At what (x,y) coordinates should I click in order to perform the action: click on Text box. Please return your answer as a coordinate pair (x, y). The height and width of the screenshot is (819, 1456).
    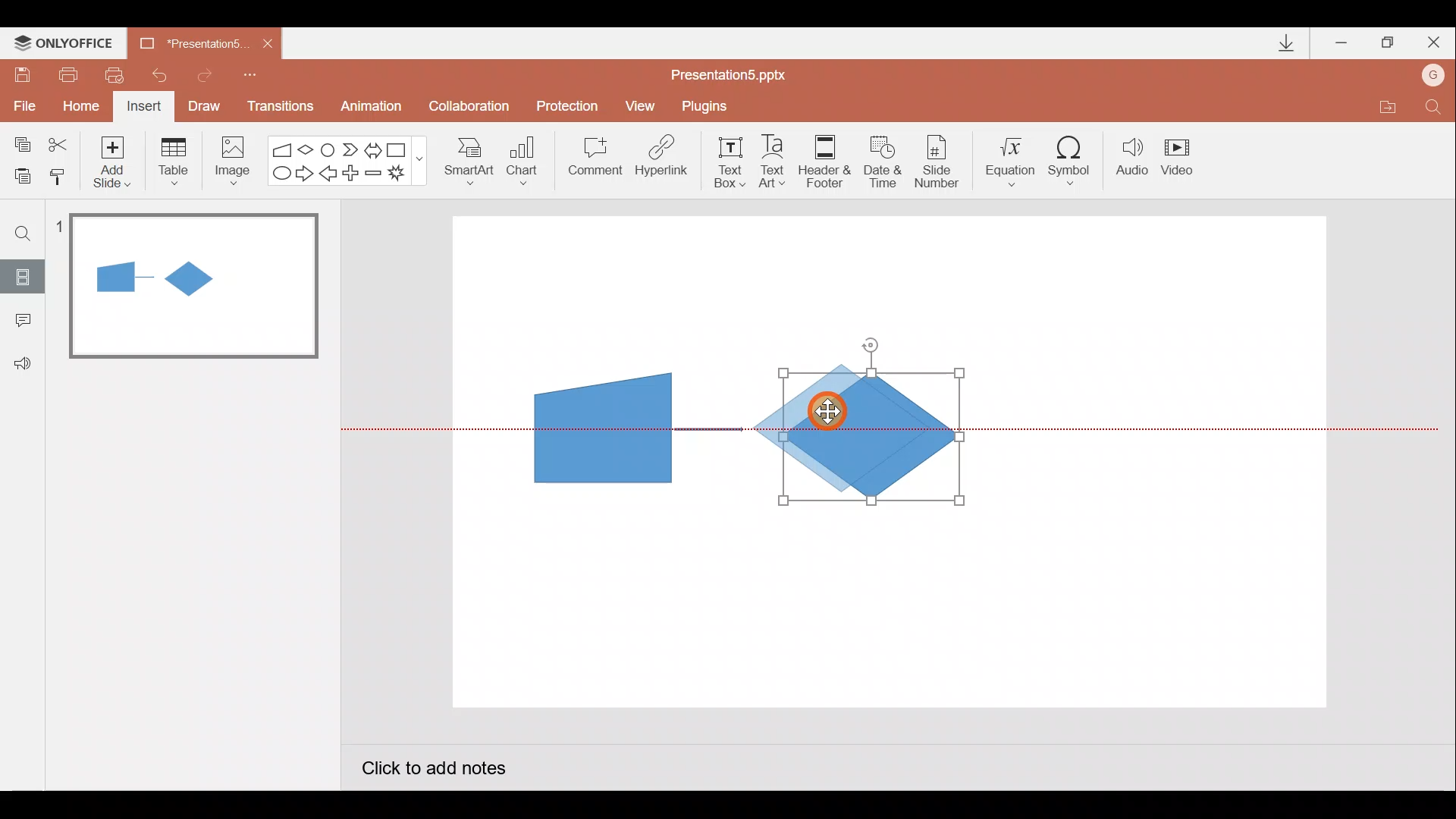
    Looking at the image, I should click on (725, 160).